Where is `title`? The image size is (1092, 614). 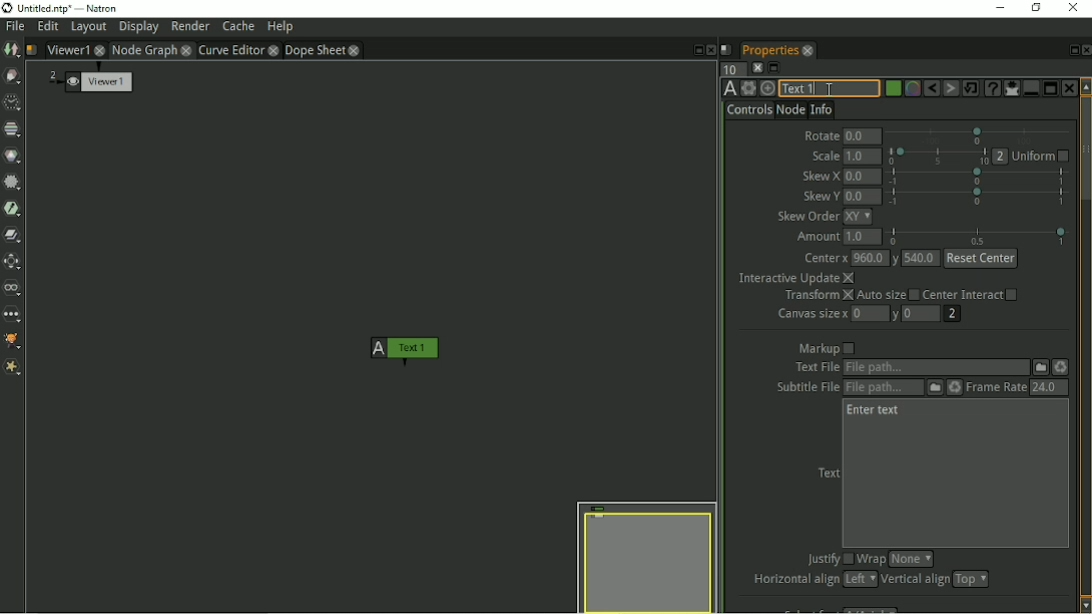
title is located at coordinates (75, 8).